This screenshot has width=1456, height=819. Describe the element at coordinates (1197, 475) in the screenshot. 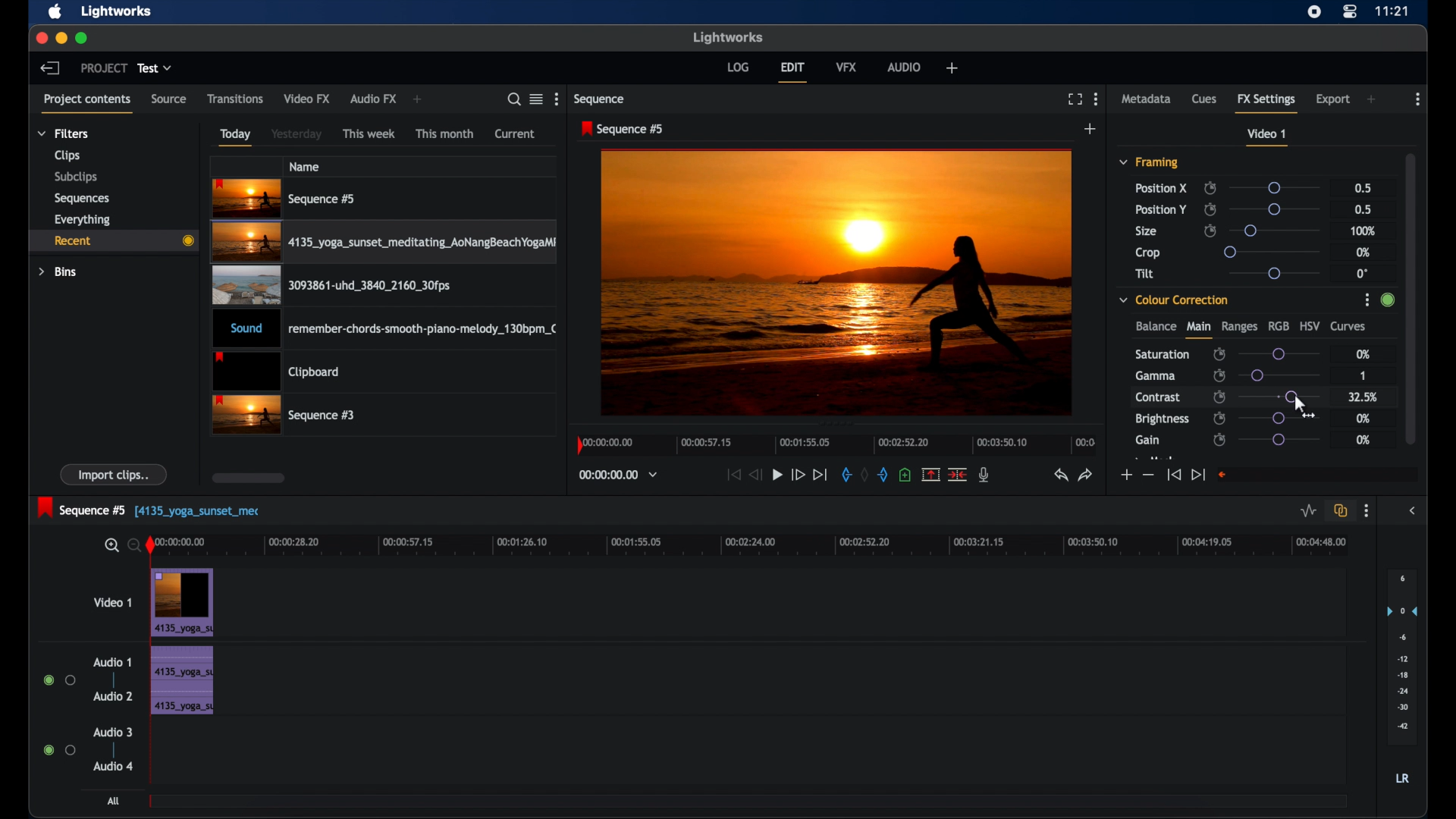

I see `jump to end` at that location.